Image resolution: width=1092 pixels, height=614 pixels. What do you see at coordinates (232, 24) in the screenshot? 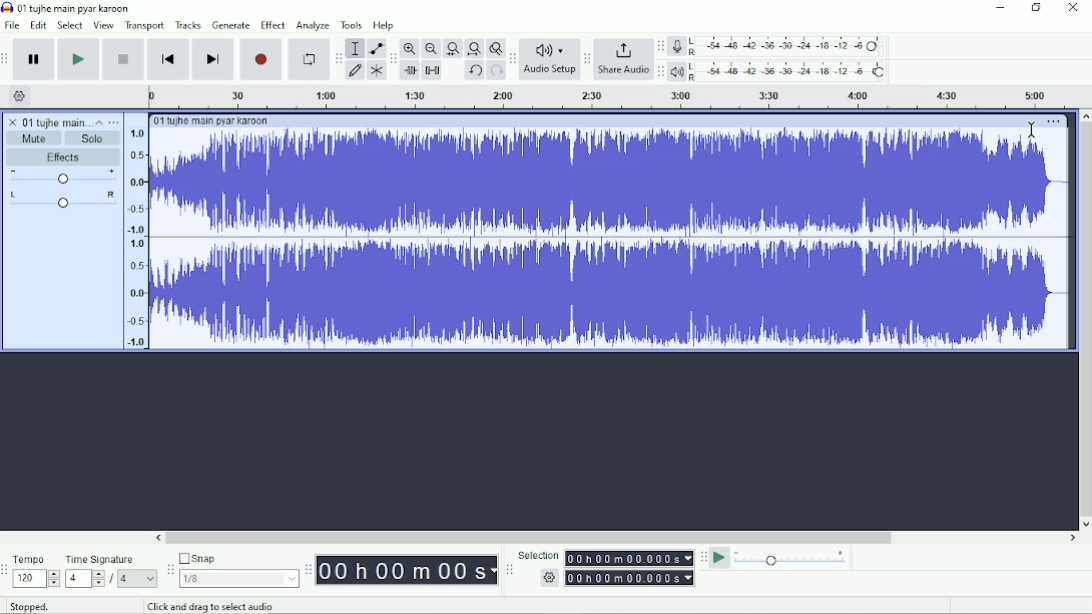
I see `Generate` at bounding box center [232, 24].